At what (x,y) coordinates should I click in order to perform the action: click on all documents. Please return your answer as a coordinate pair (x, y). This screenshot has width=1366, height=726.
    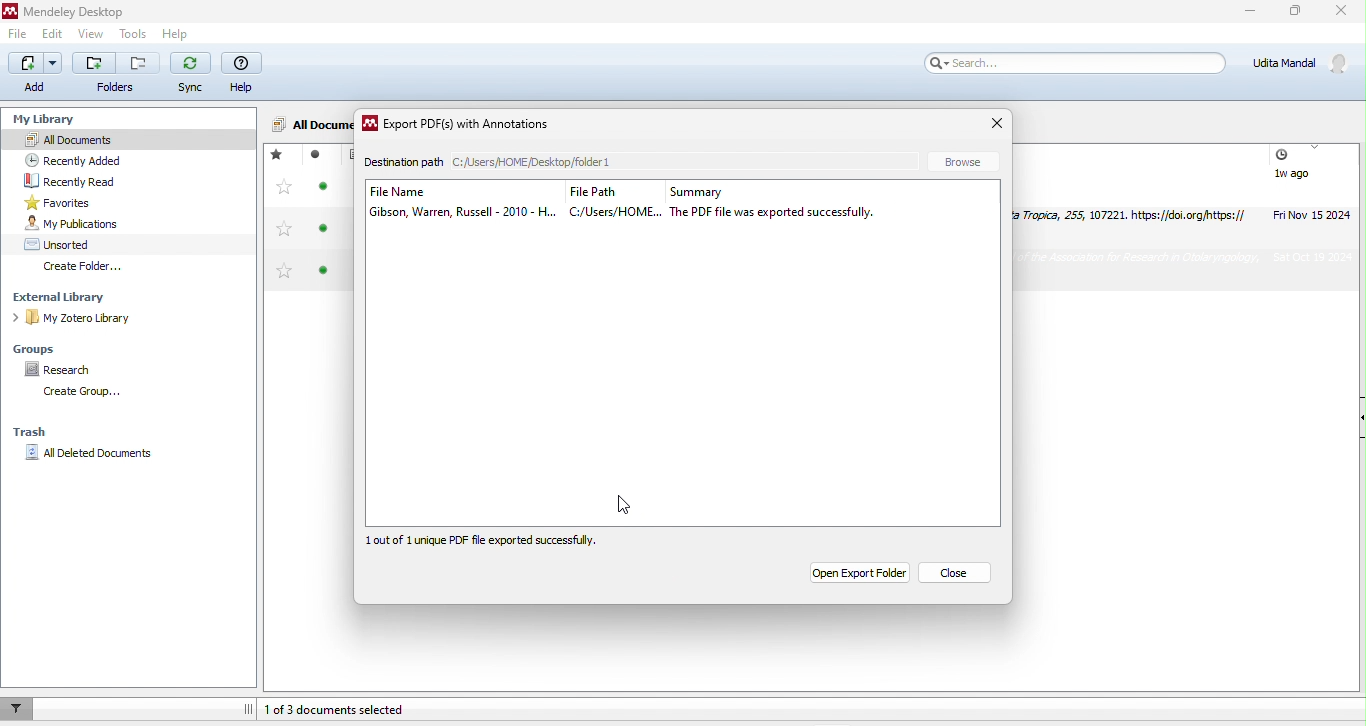
    Looking at the image, I should click on (309, 123).